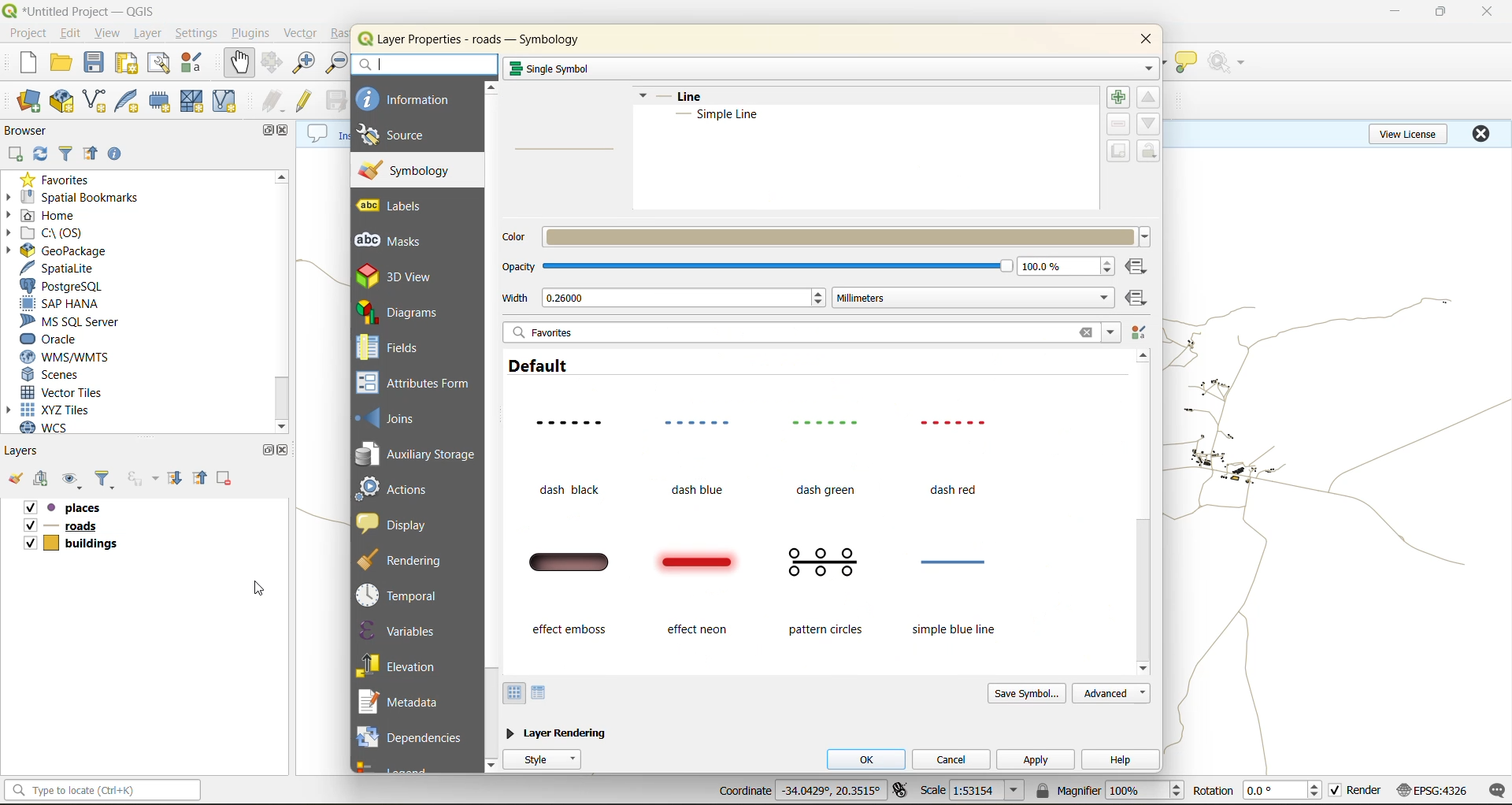 The width and height of the screenshot is (1512, 805). What do you see at coordinates (104, 790) in the screenshot?
I see `status bar` at bounding box center [104, 790].